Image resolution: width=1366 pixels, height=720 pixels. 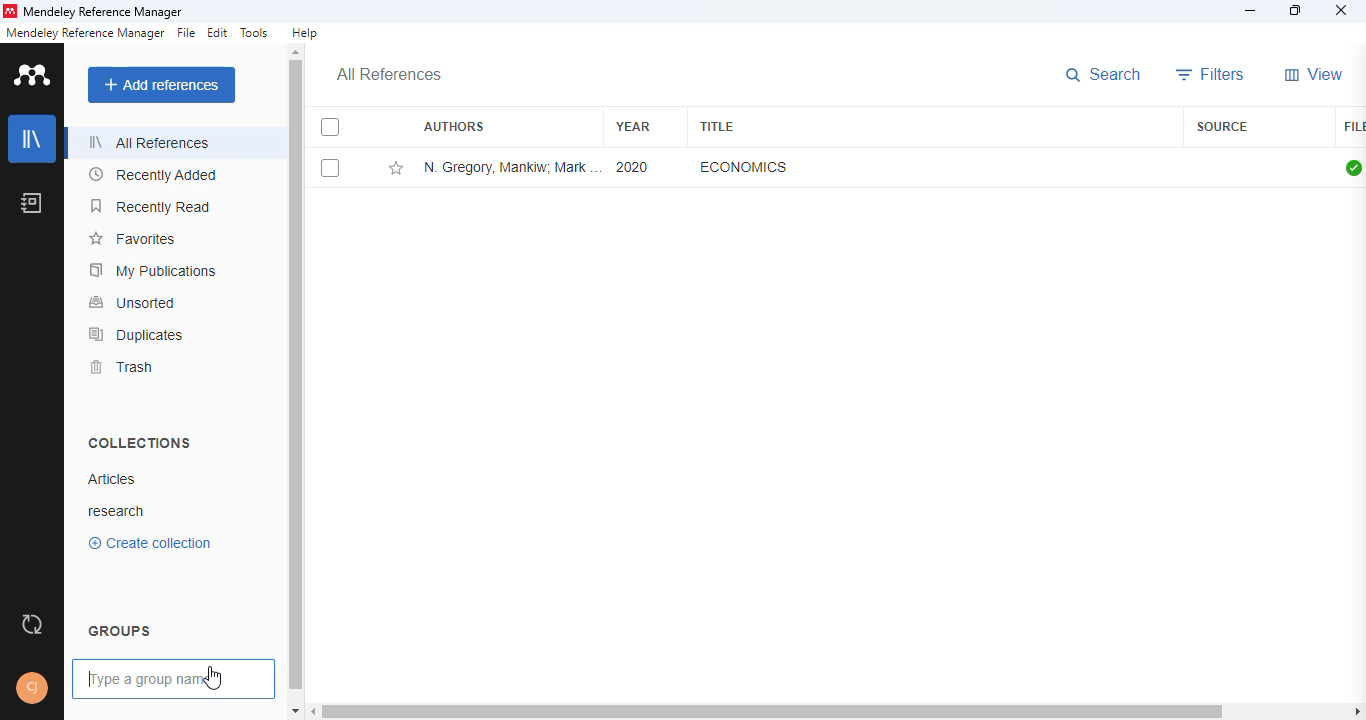 What do you see at coordinates (1251, 11) in the screenshot?
I see `minimize` at bounding box center [1251, 11].